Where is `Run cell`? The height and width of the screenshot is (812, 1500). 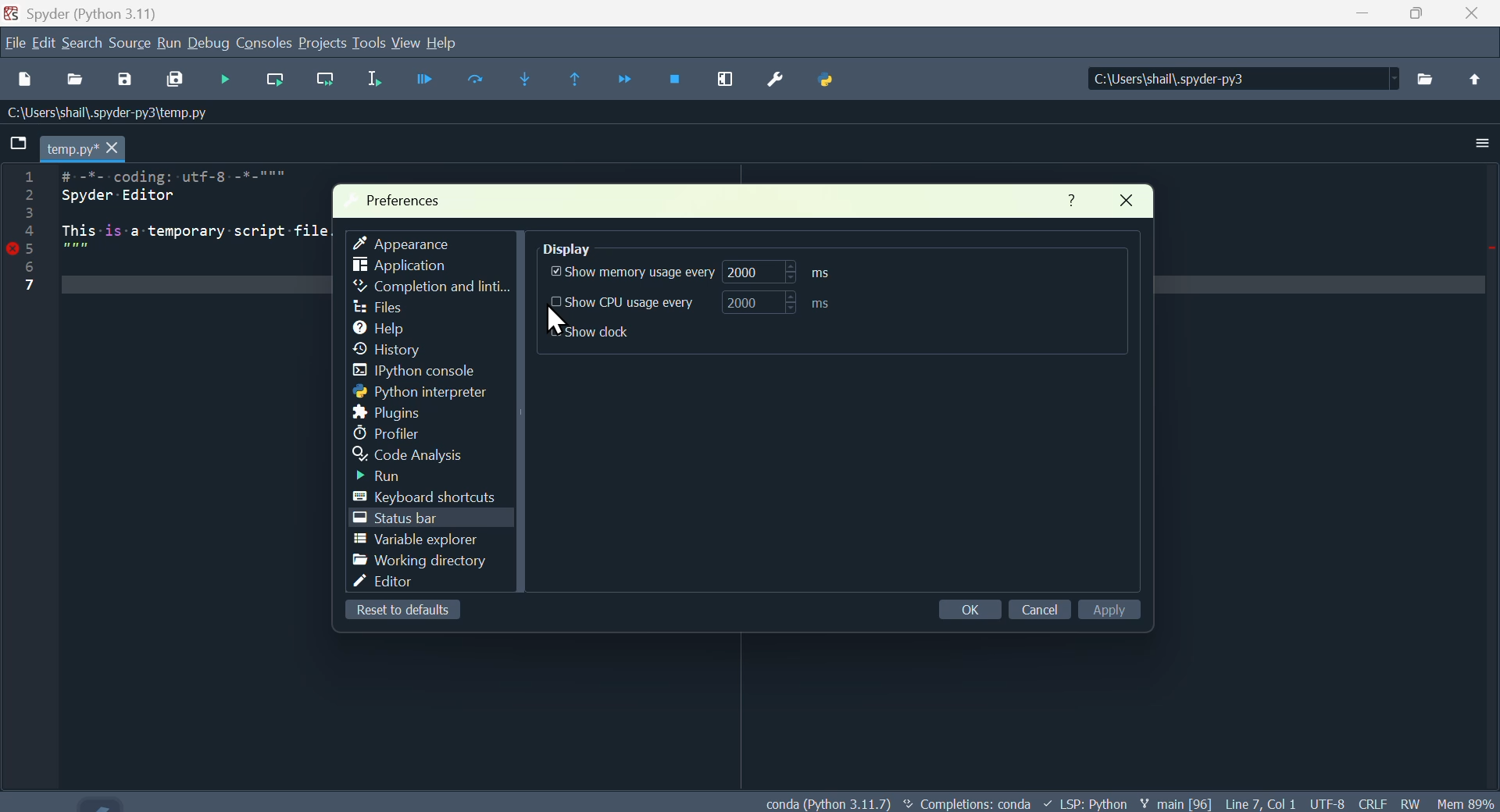
Run cell is located at coordinates (477, 81).